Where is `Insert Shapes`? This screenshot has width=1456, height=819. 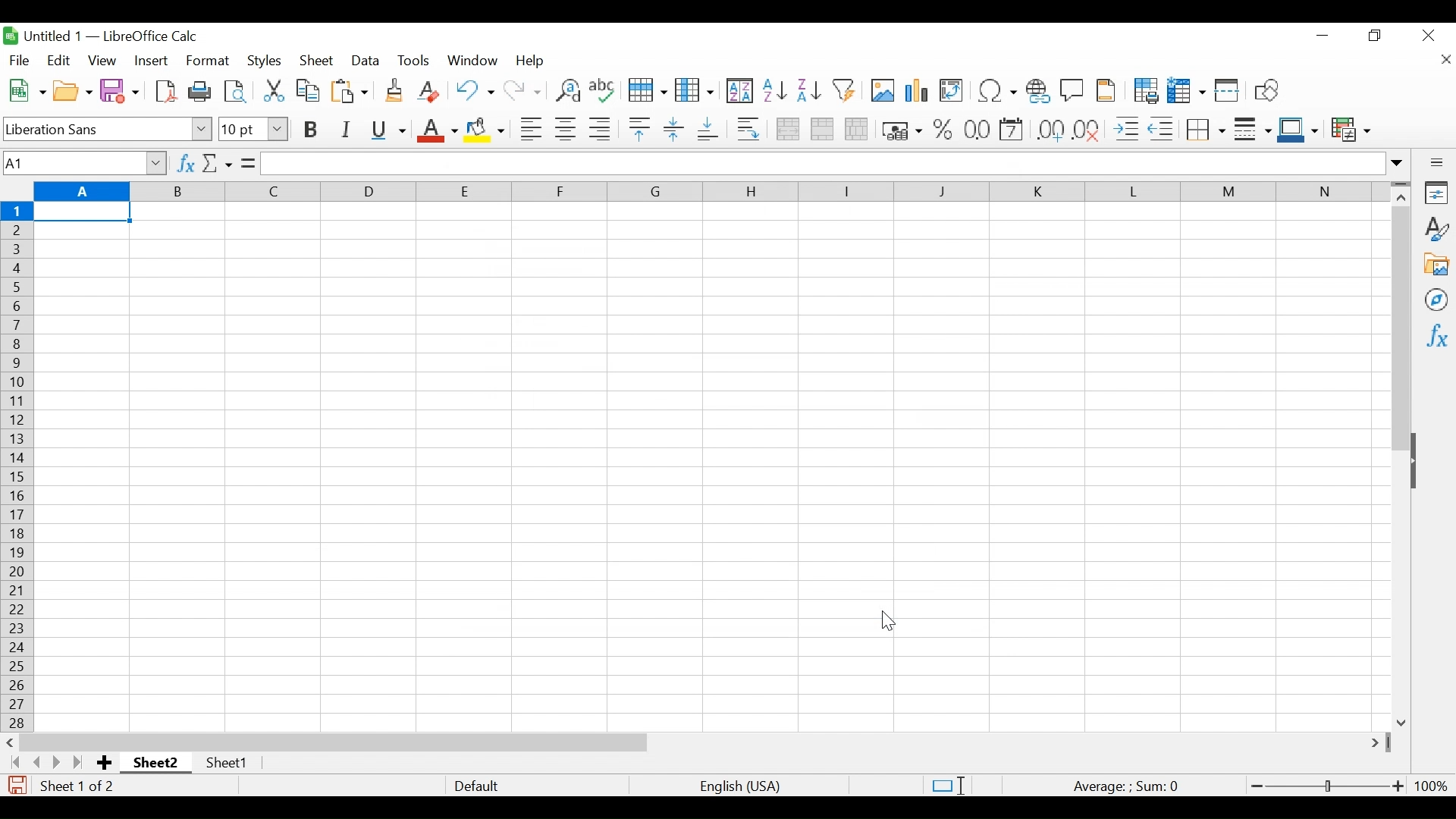
Insert Shapes is located at coordinates (1266, 91).